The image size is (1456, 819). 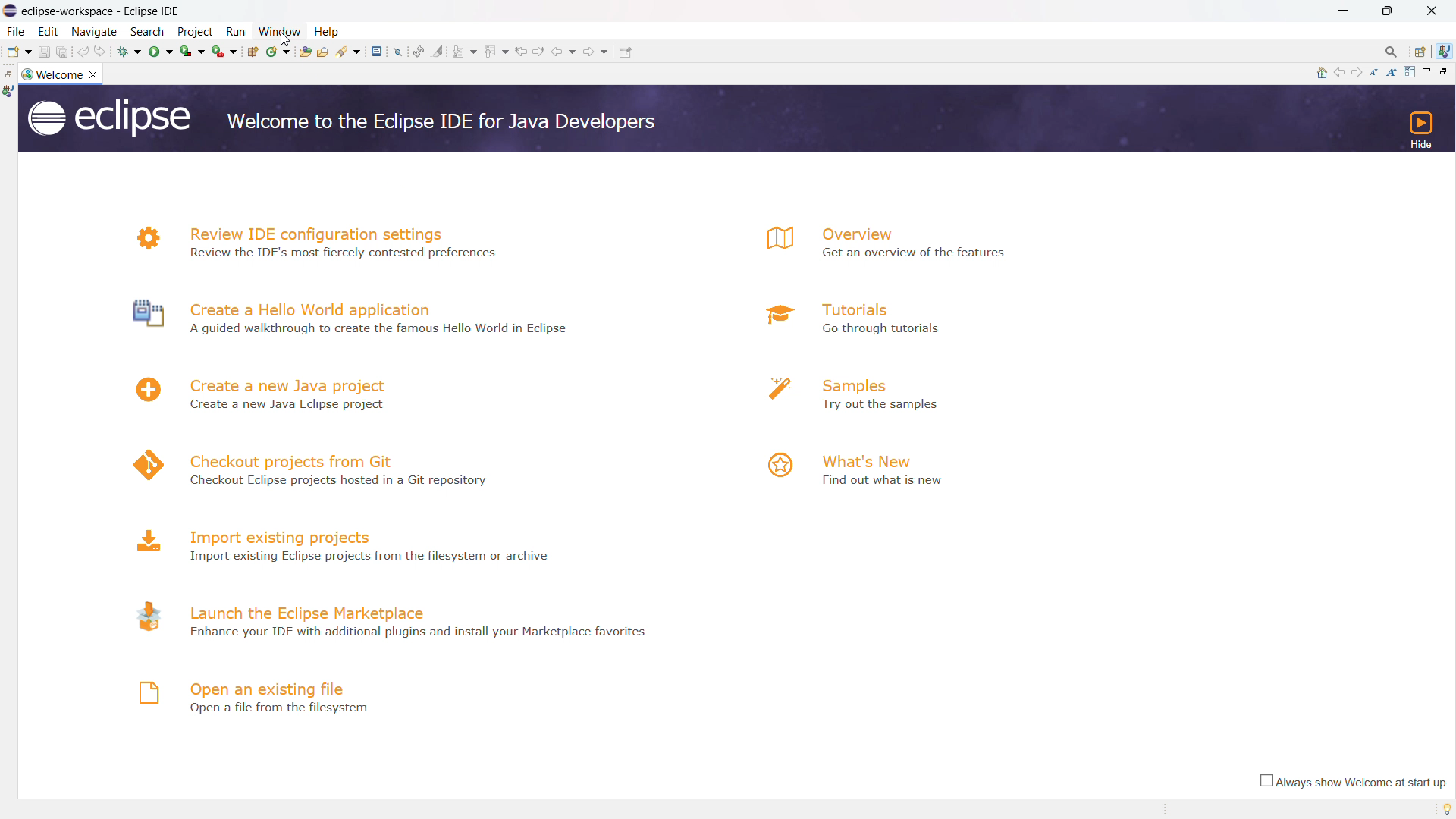 What do you see at coordinates (315, 231) in the screenshot?
I see `review IDE configuration settings` at bounding box center [315, 231].